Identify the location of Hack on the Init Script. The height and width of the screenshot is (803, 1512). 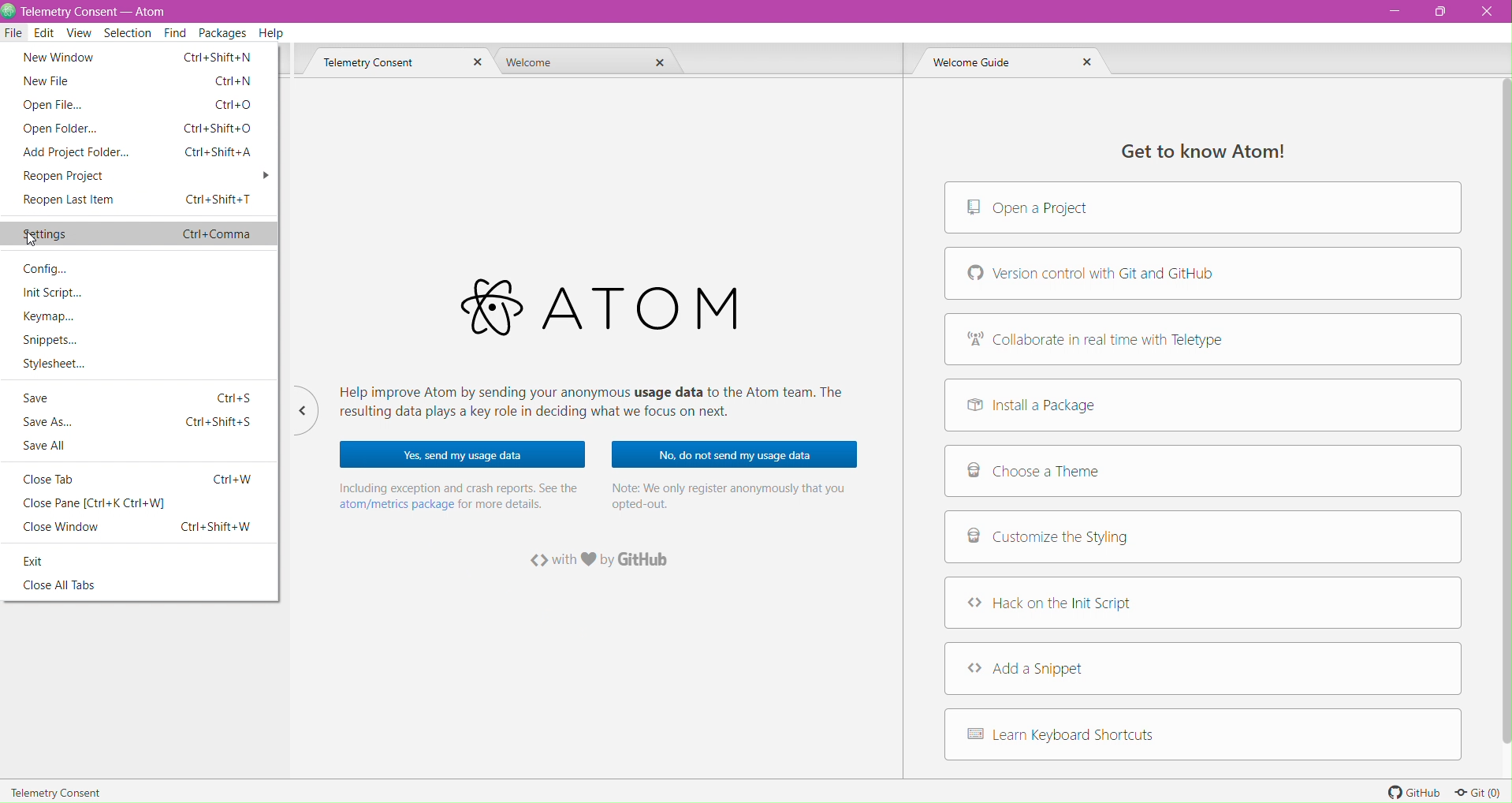
(1204, 603).